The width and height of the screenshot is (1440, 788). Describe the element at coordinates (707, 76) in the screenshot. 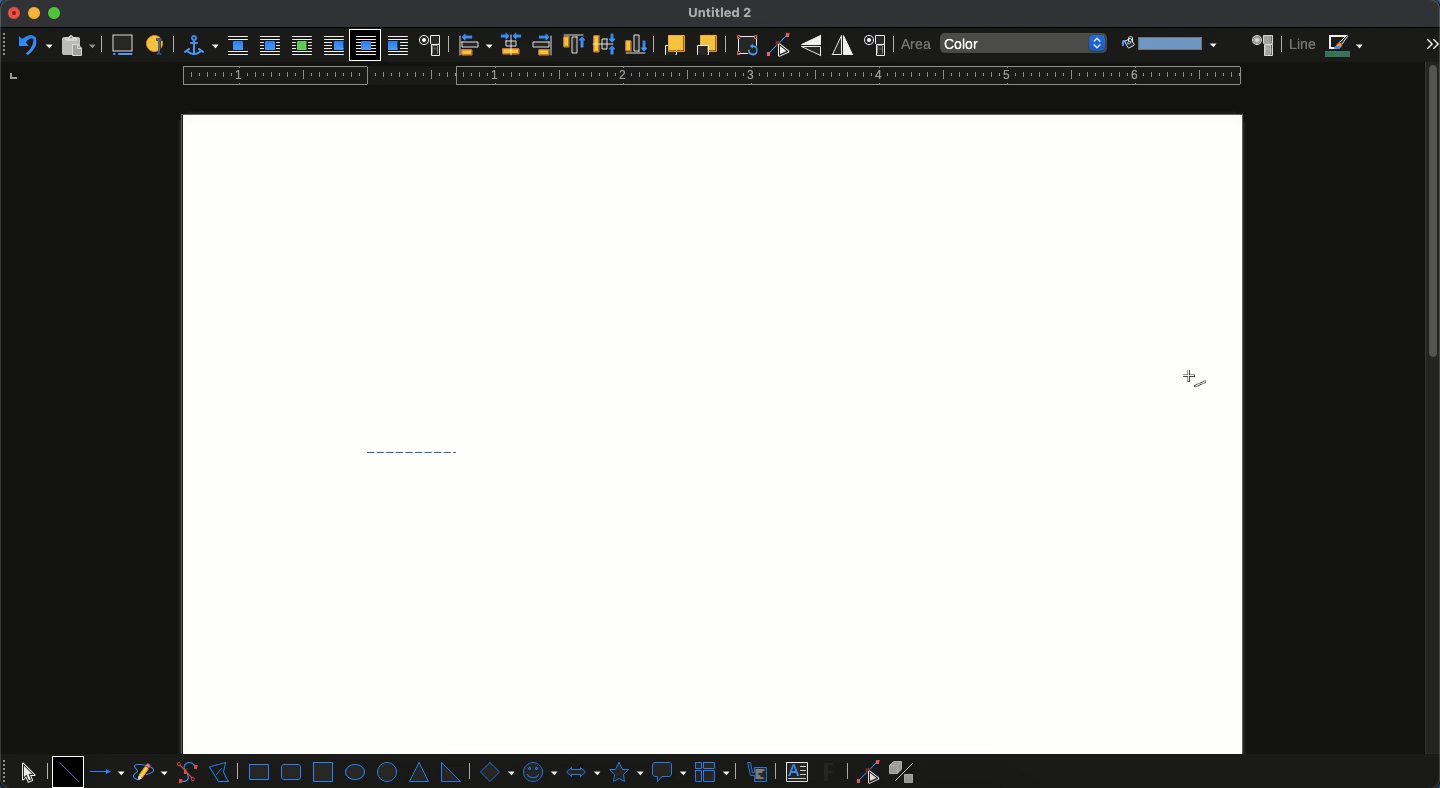

I see `ruler` at that location.